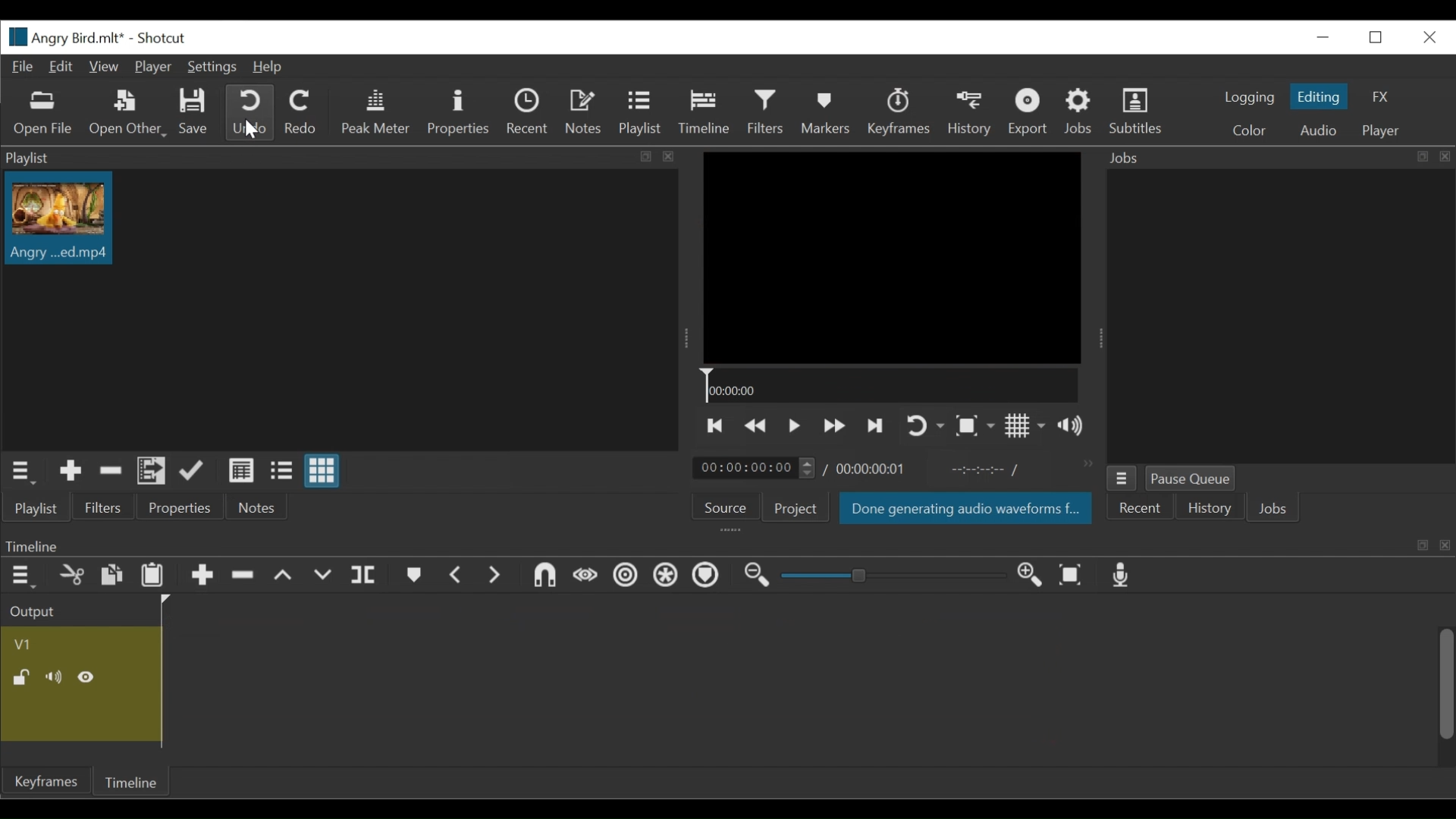 This screenshot has height=819, width=1456. I want to click on Paste, so click(152, 575).